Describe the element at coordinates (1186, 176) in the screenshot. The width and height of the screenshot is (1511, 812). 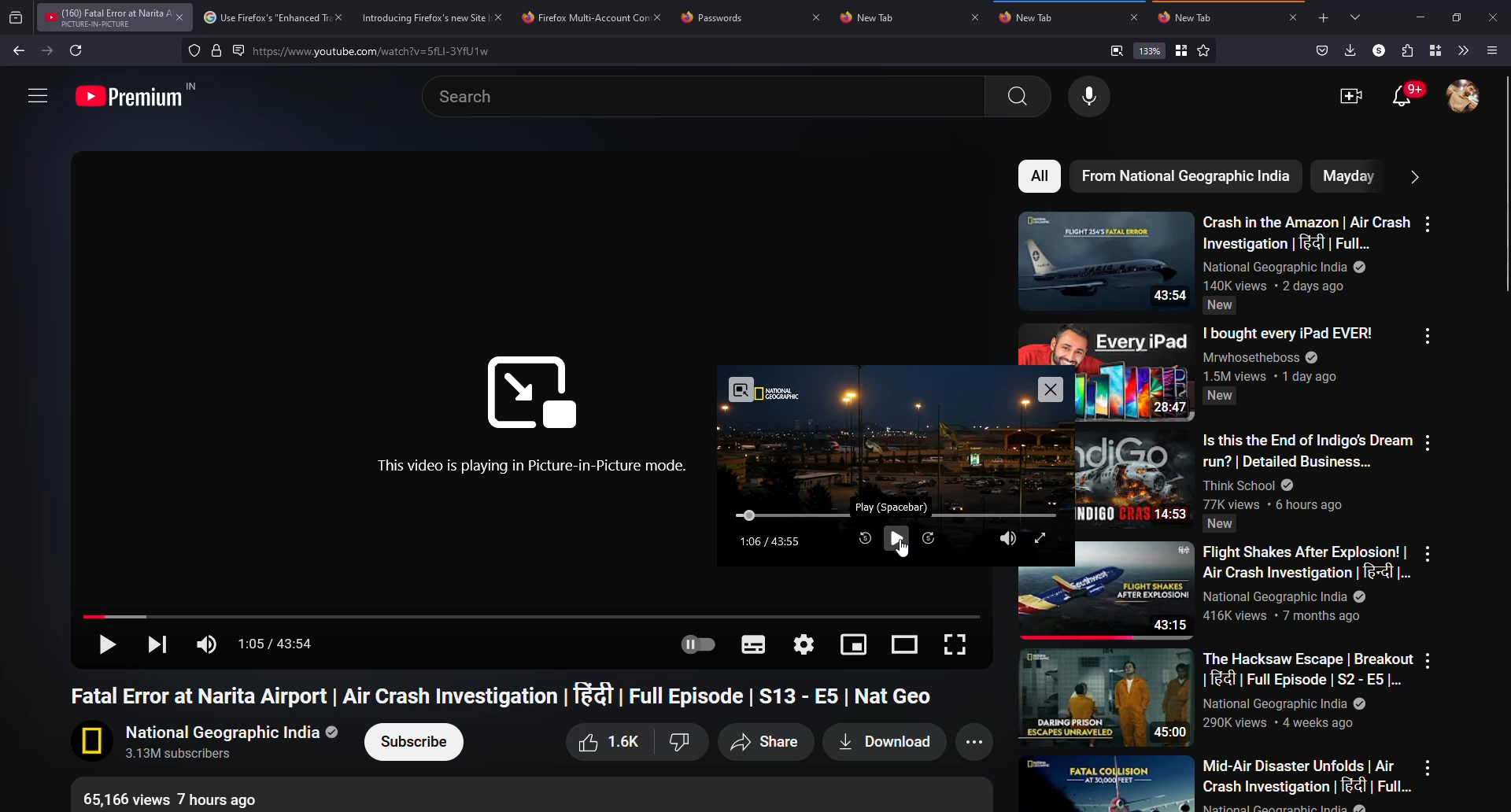
I see `nat geo` at that location.